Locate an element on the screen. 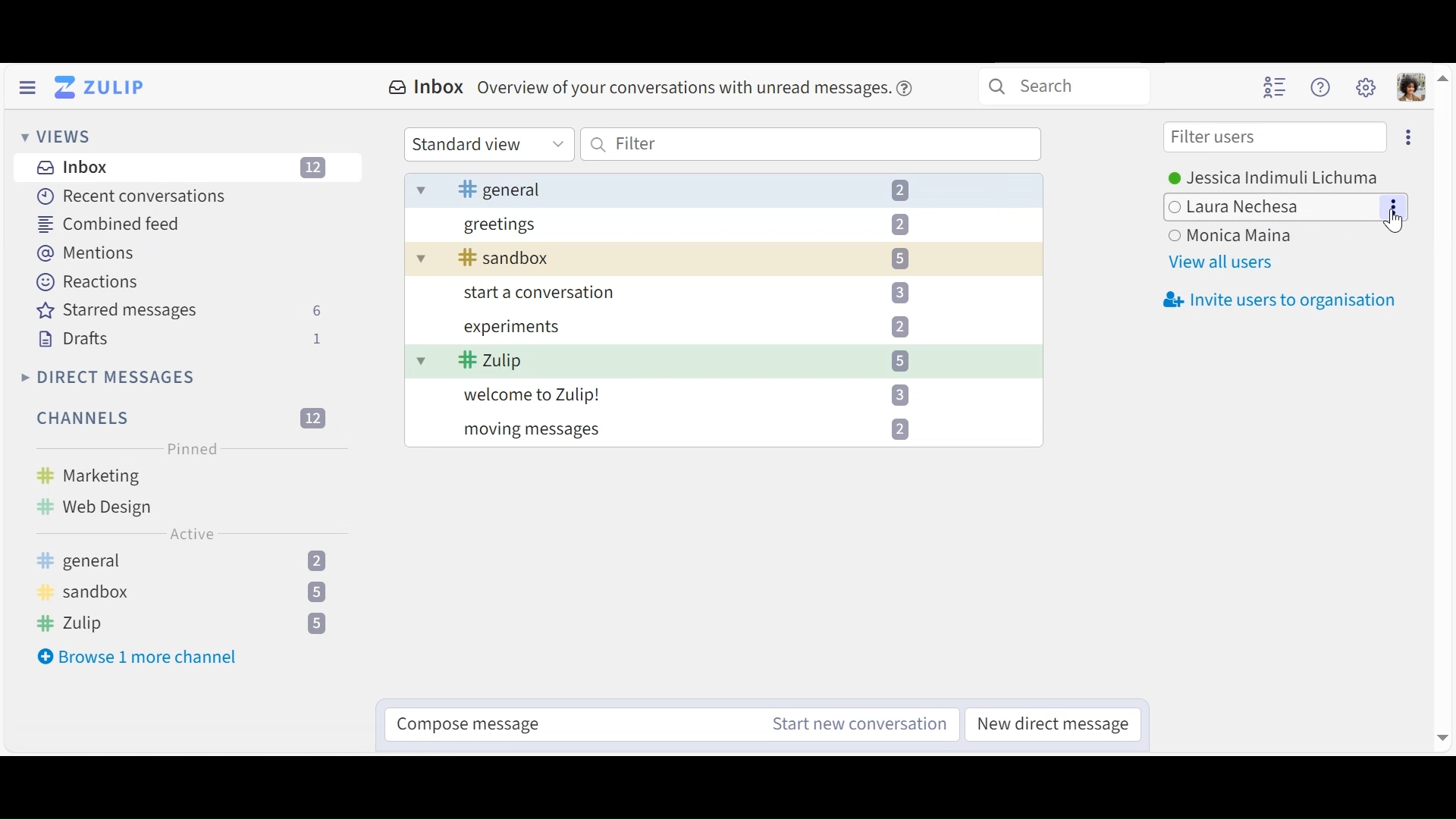 The width and height of the screenshot is (1456, 819). Inbox is located at coordinates (190, 168).